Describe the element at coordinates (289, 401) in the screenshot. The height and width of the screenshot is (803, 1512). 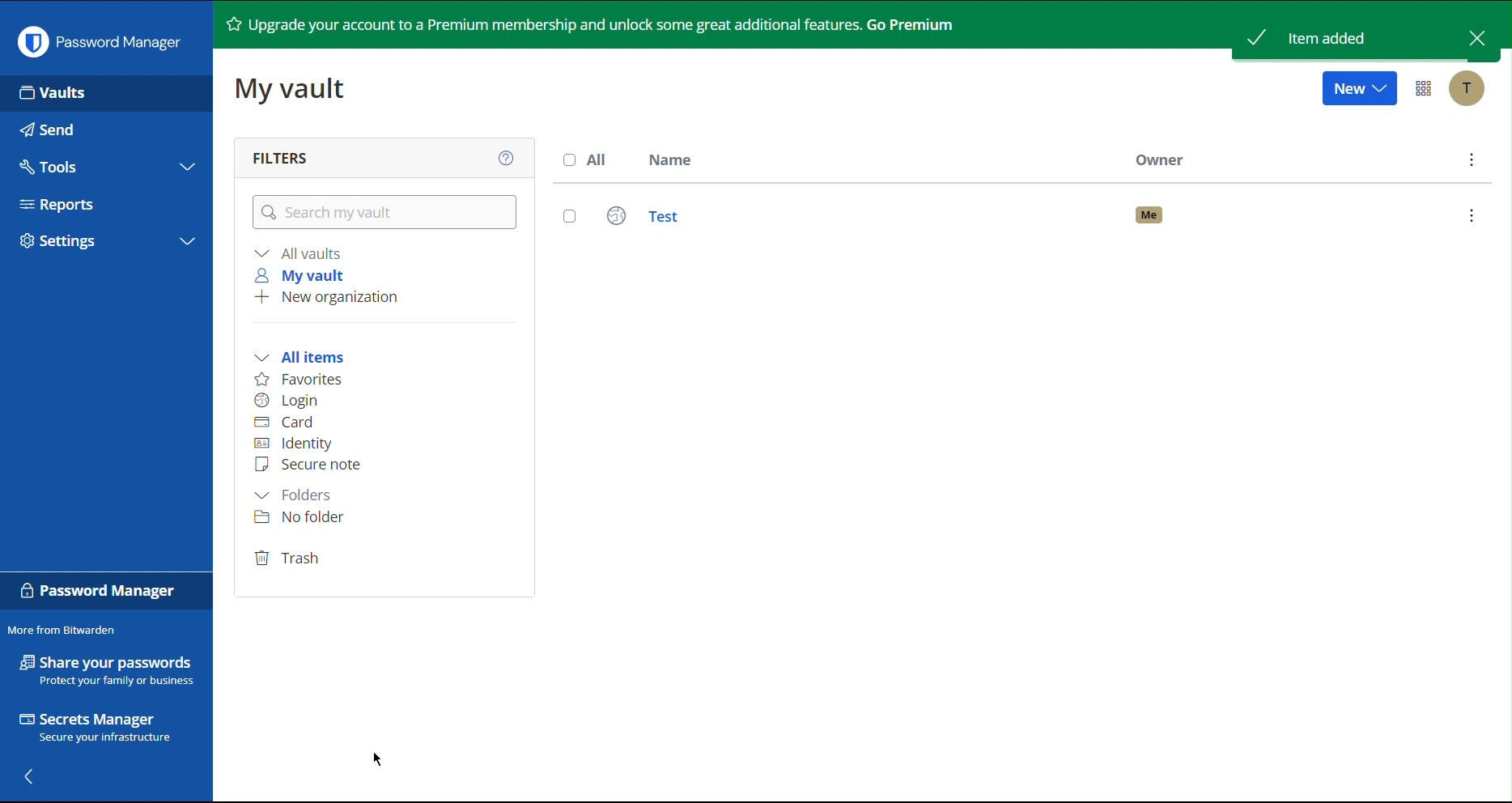
I see `Login` at that location.